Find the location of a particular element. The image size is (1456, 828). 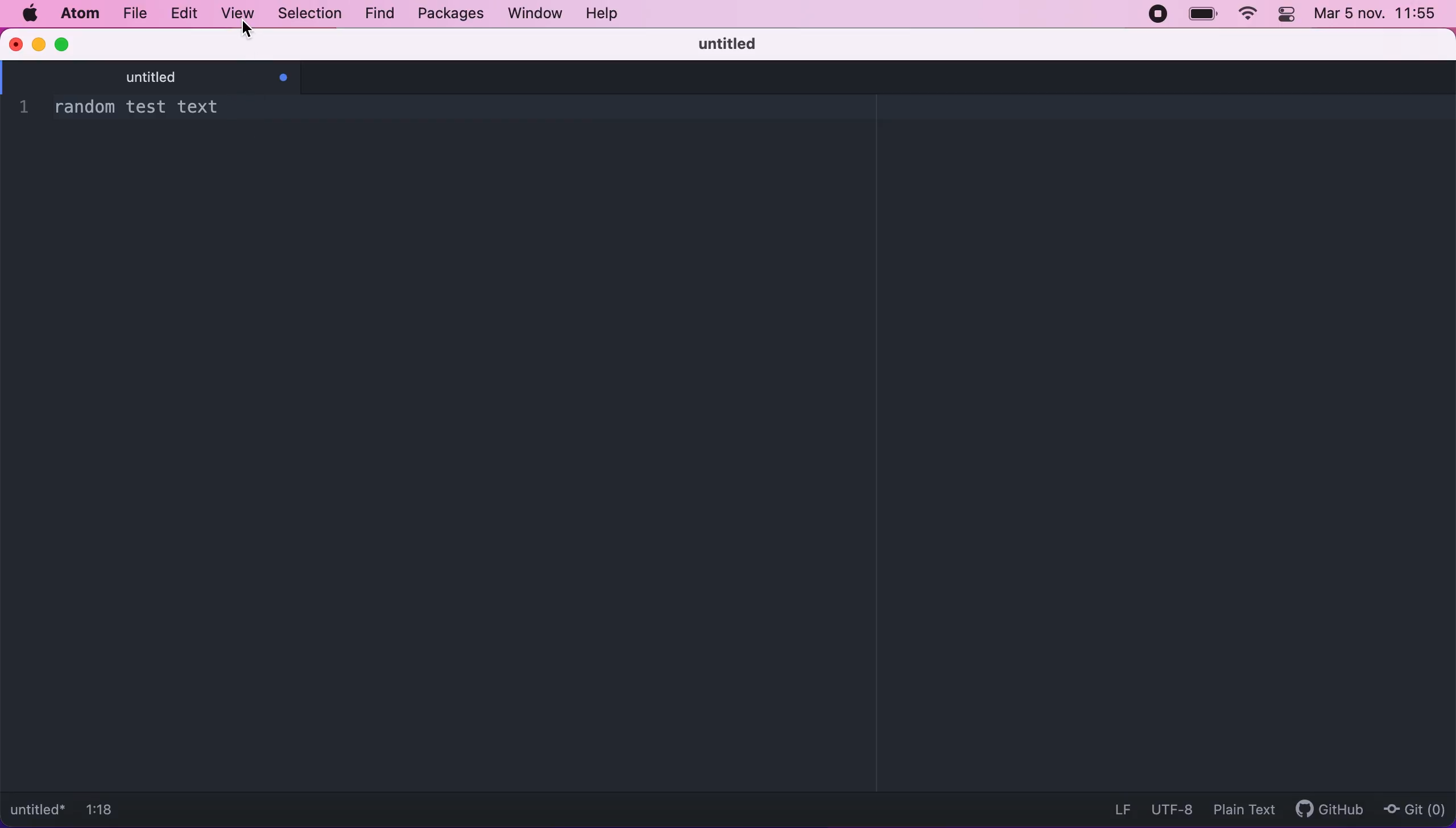

1 random test text is located at coordinates (136, 108).